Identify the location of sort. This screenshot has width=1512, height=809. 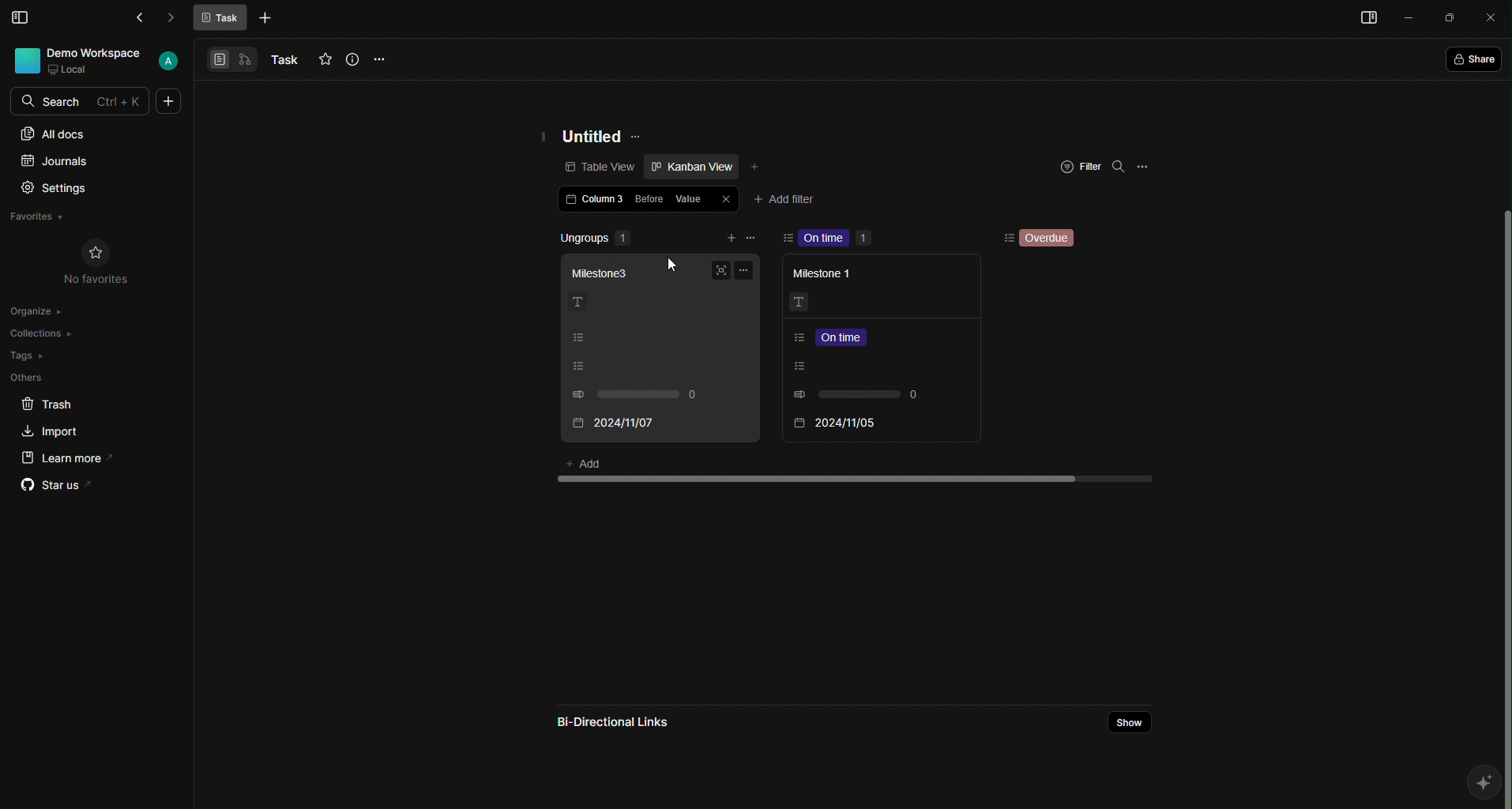
(788, 238).